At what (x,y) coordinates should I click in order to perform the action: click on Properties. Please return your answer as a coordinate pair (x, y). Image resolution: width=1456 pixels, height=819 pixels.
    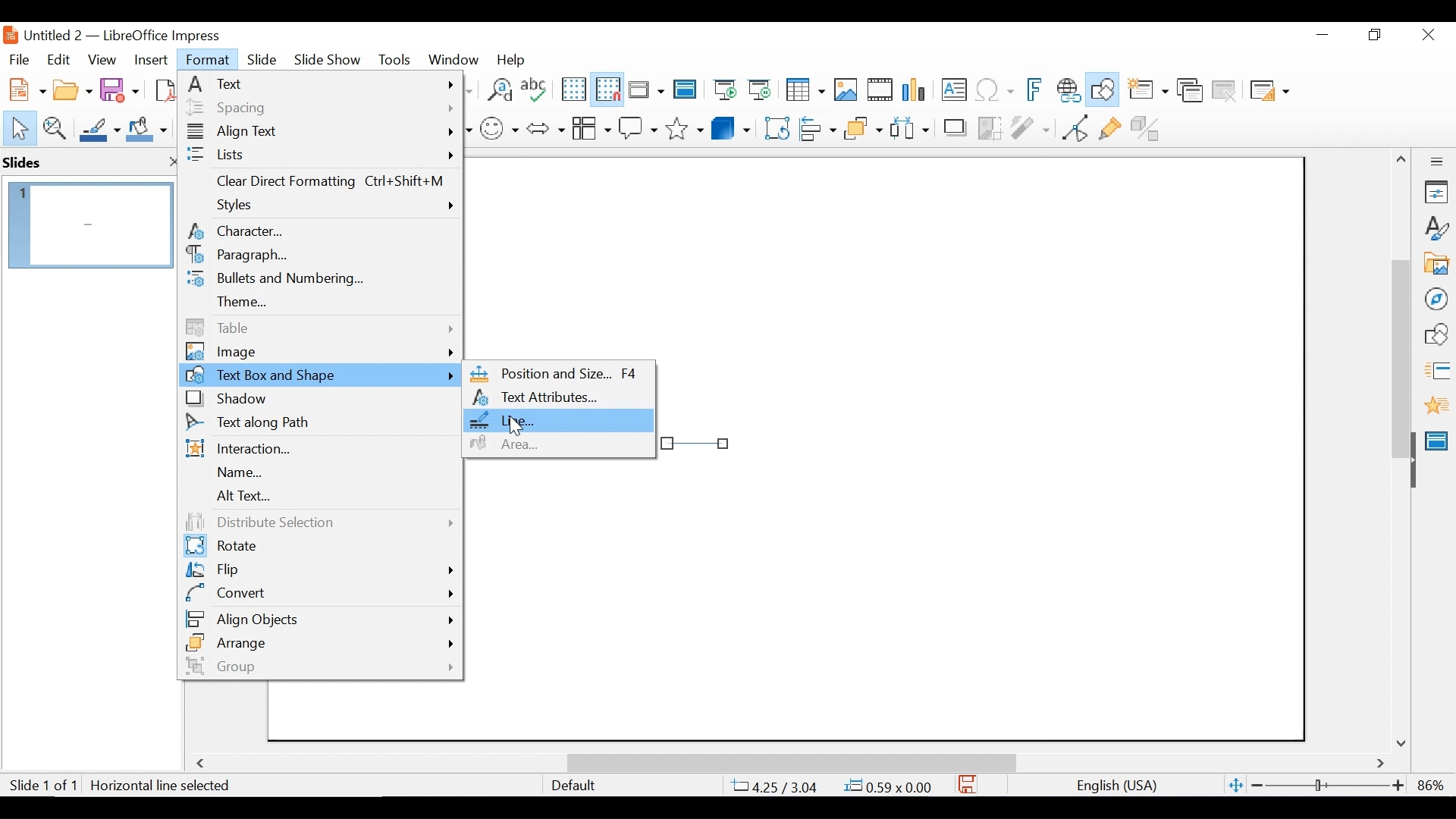
    Looking at the image, I should click on (1436, 192).